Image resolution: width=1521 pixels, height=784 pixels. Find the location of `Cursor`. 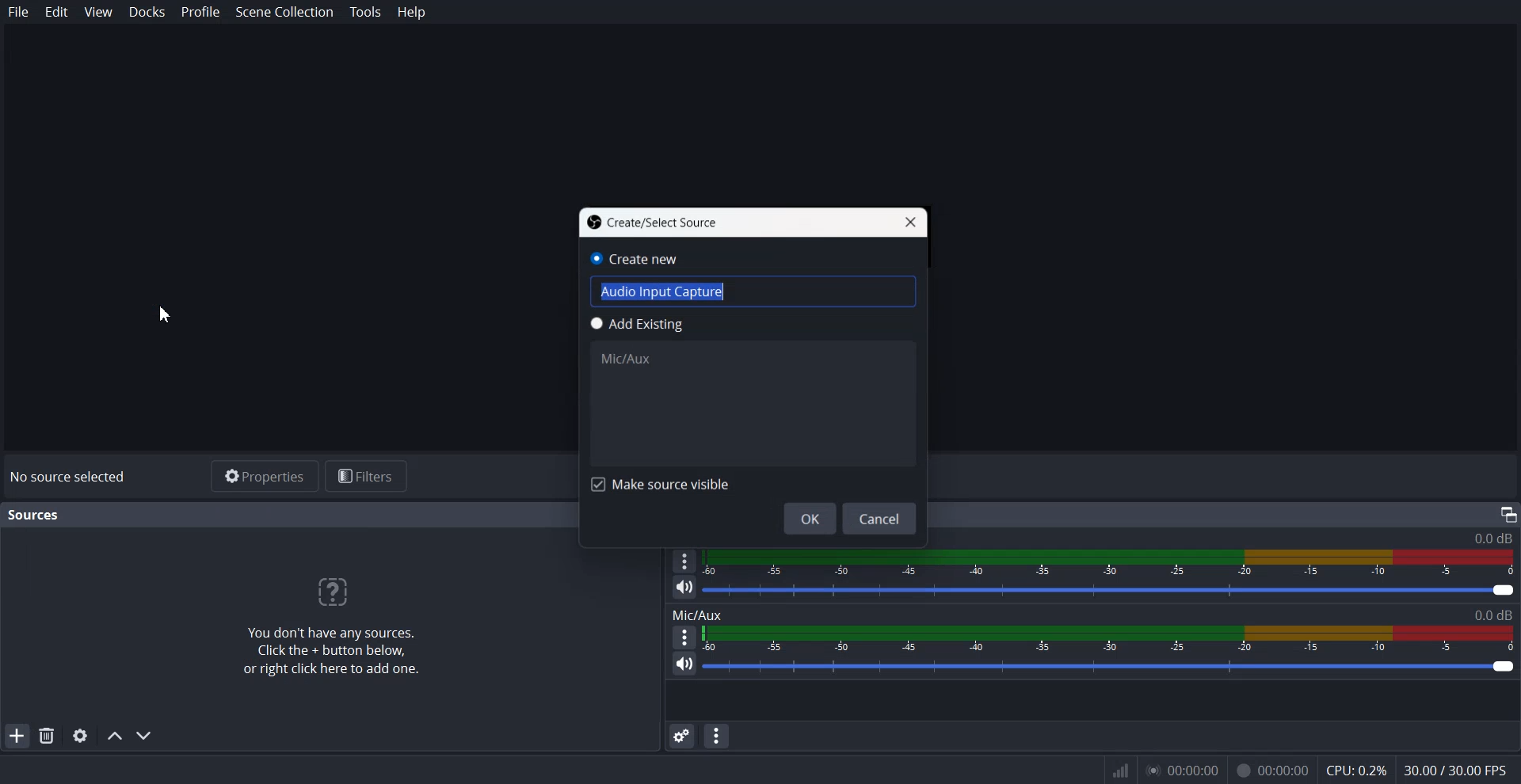

Cursor is located at coordinates (176, 314).